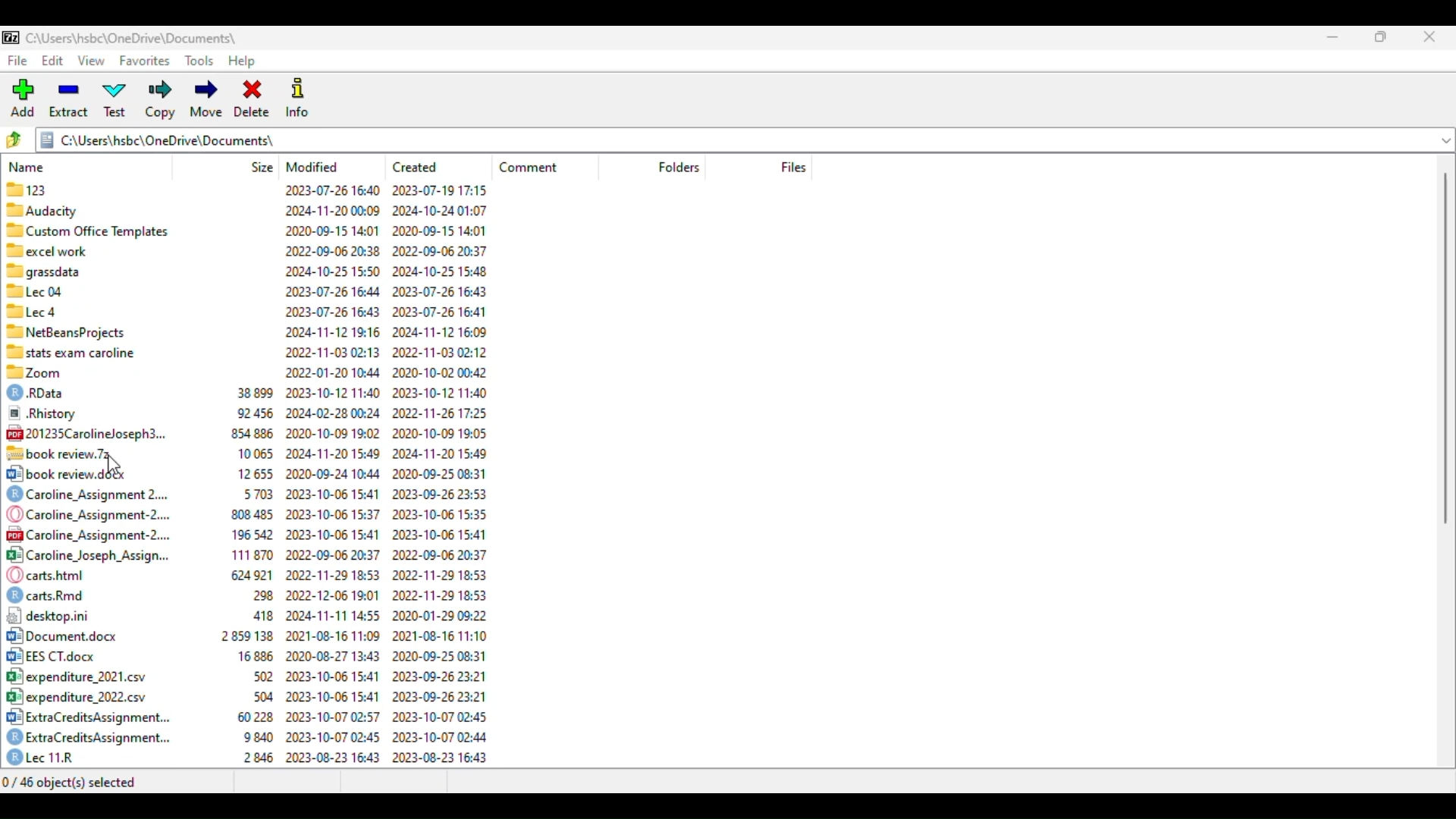  Describe the element at coordinates (27, 167) in the screenshot. I see `name` at that location.